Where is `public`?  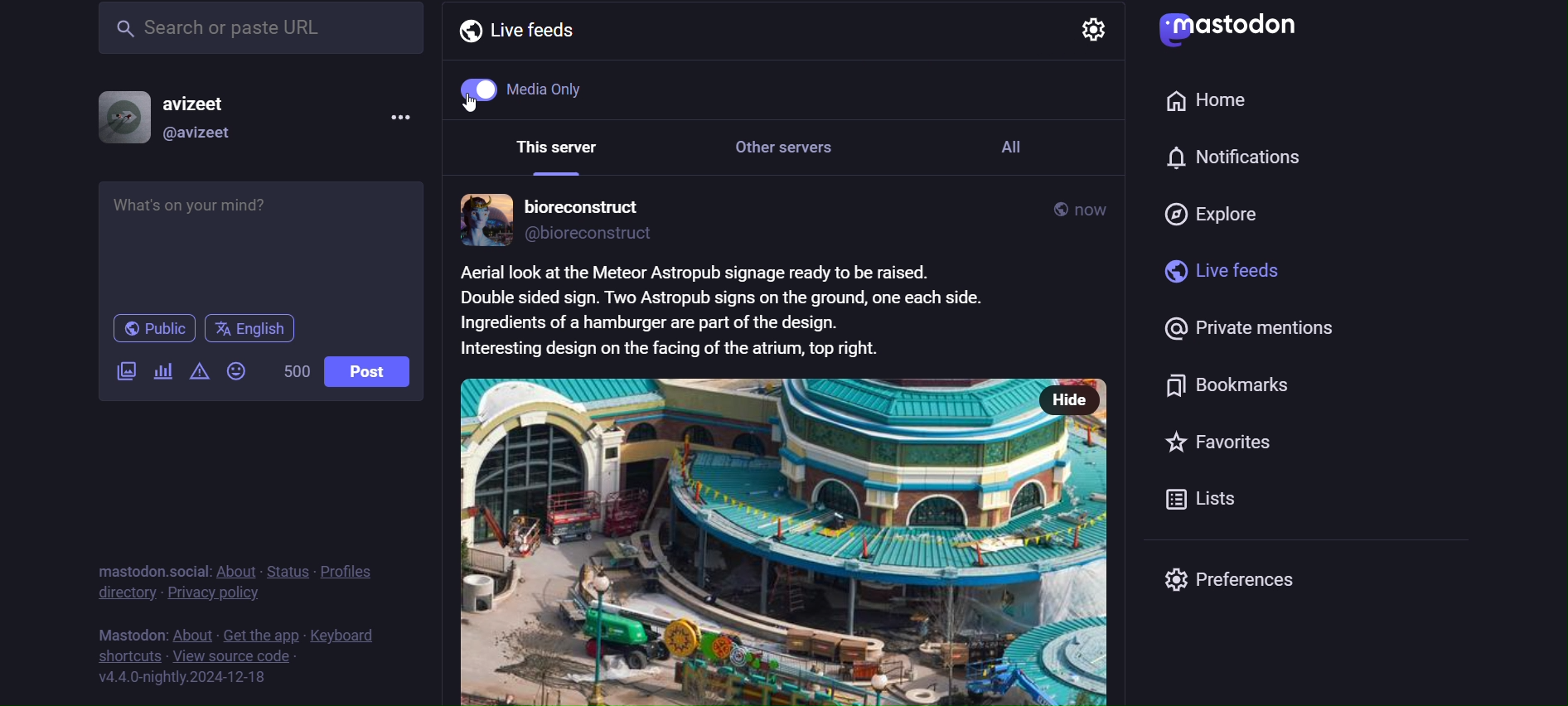
public is located at coordinates (150, 329).